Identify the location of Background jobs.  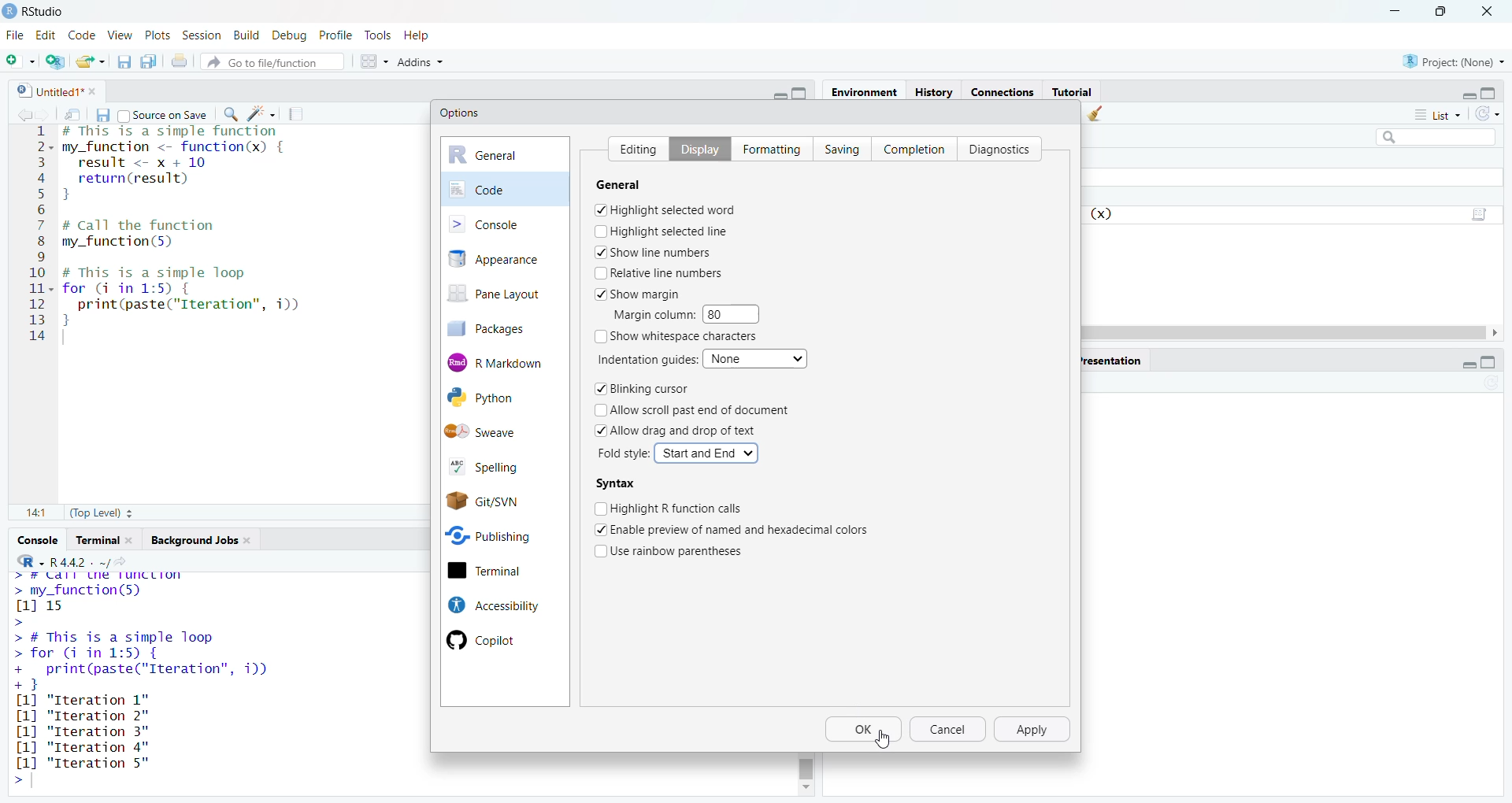
(194, 540).